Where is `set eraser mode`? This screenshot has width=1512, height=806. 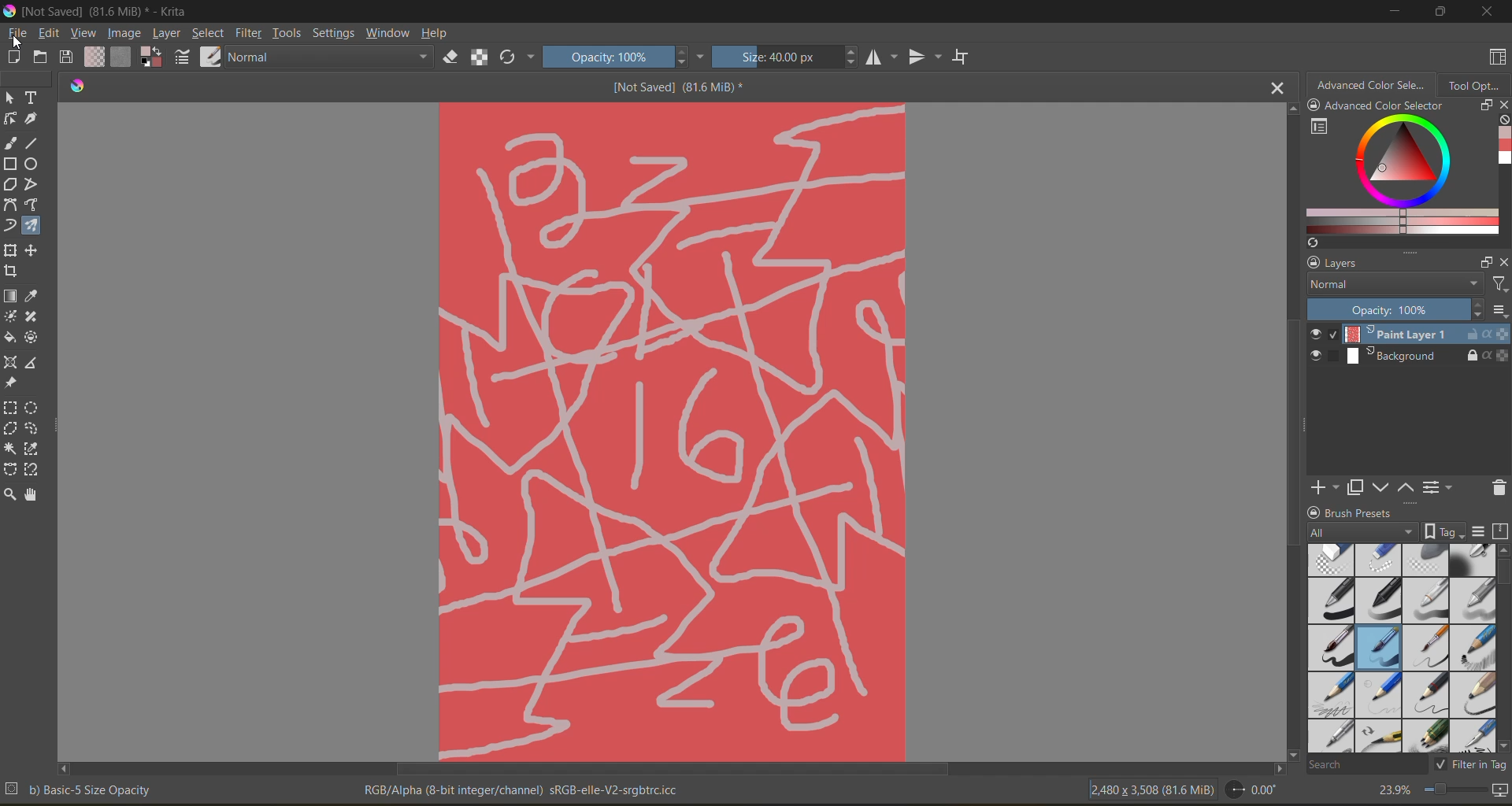 set eraser mode is located at coordinates (451, 56).